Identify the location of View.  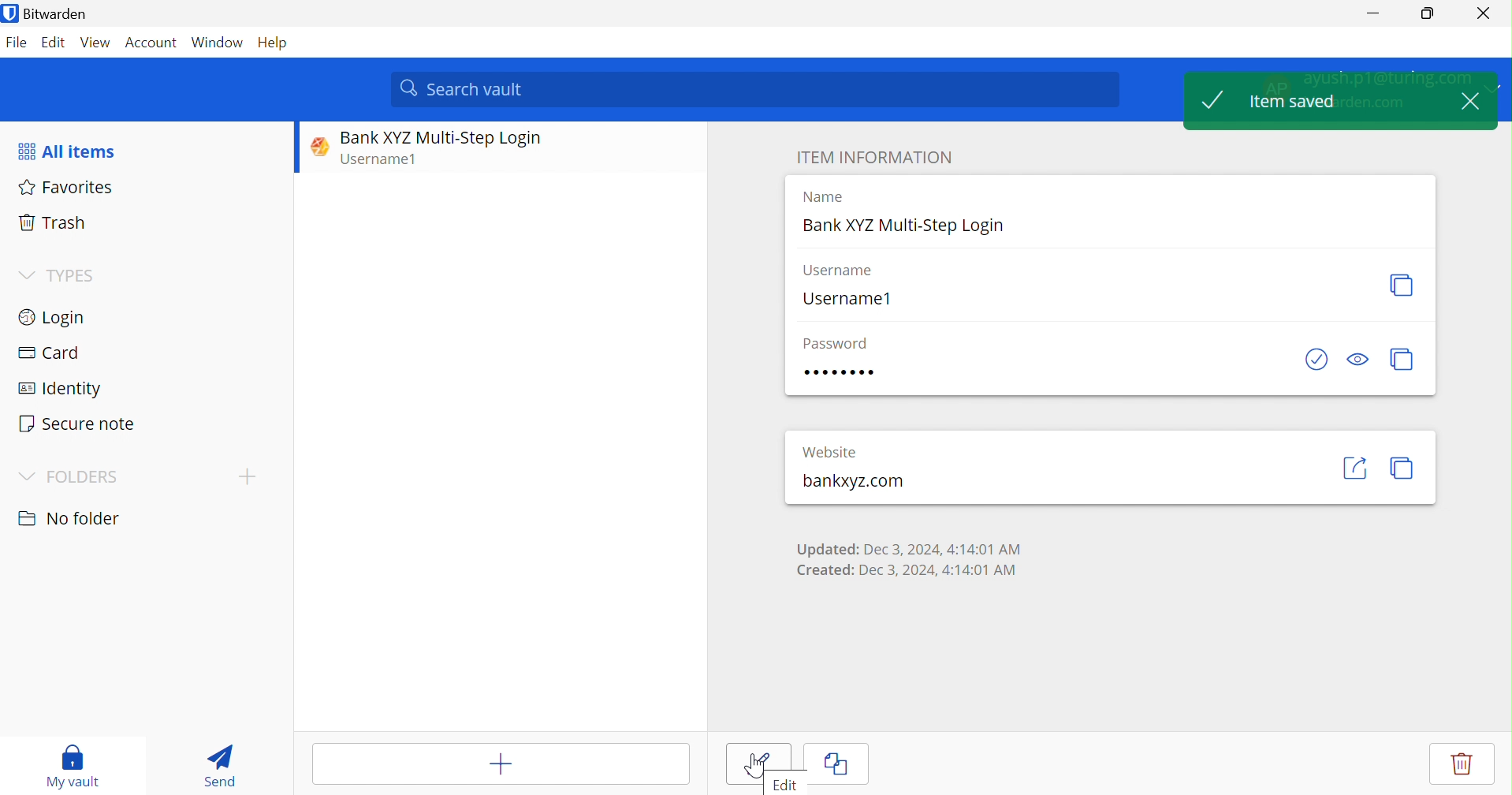
(96, 43).